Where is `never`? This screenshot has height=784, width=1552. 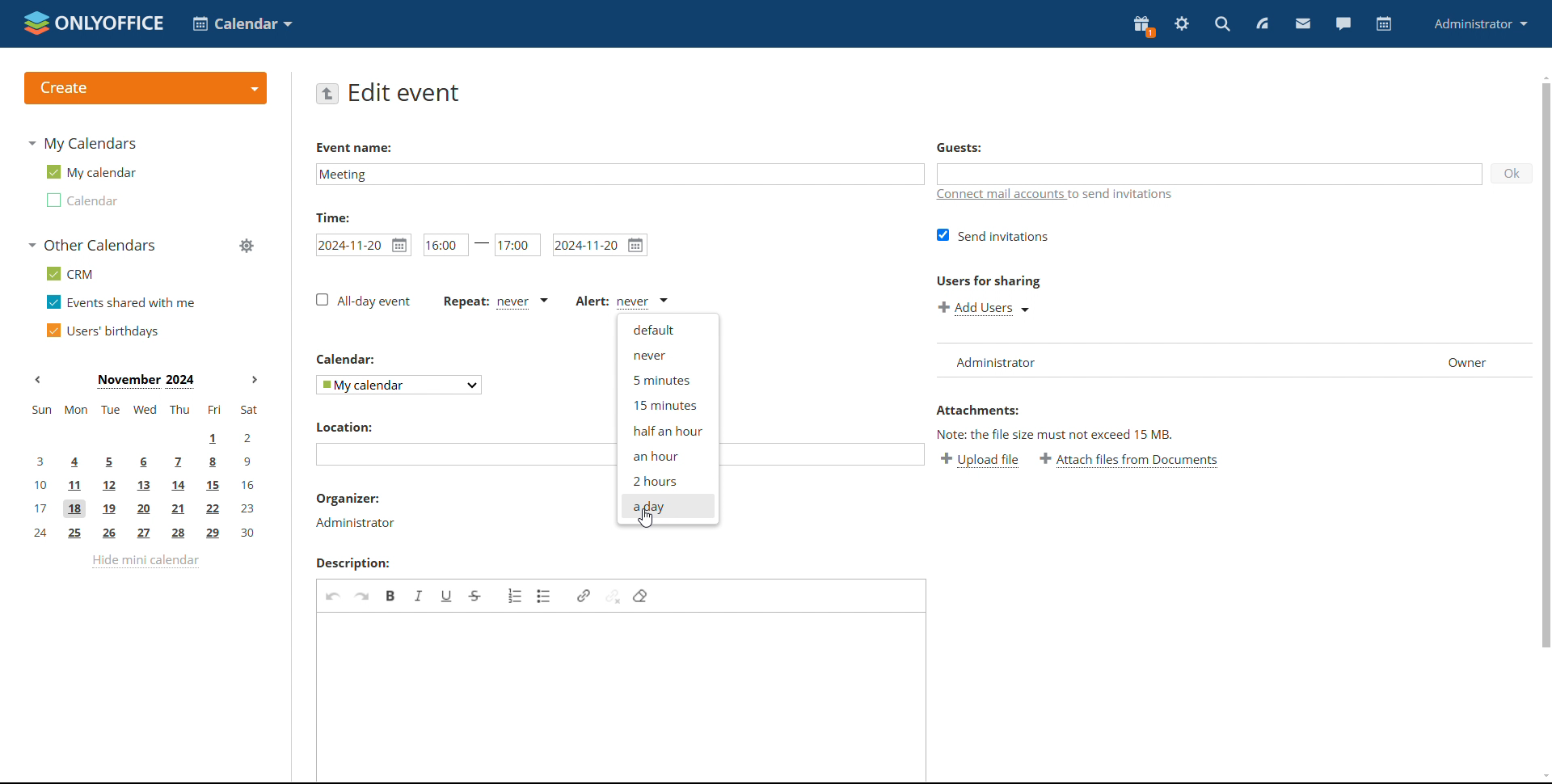
never is located at coordinates (668, 353).